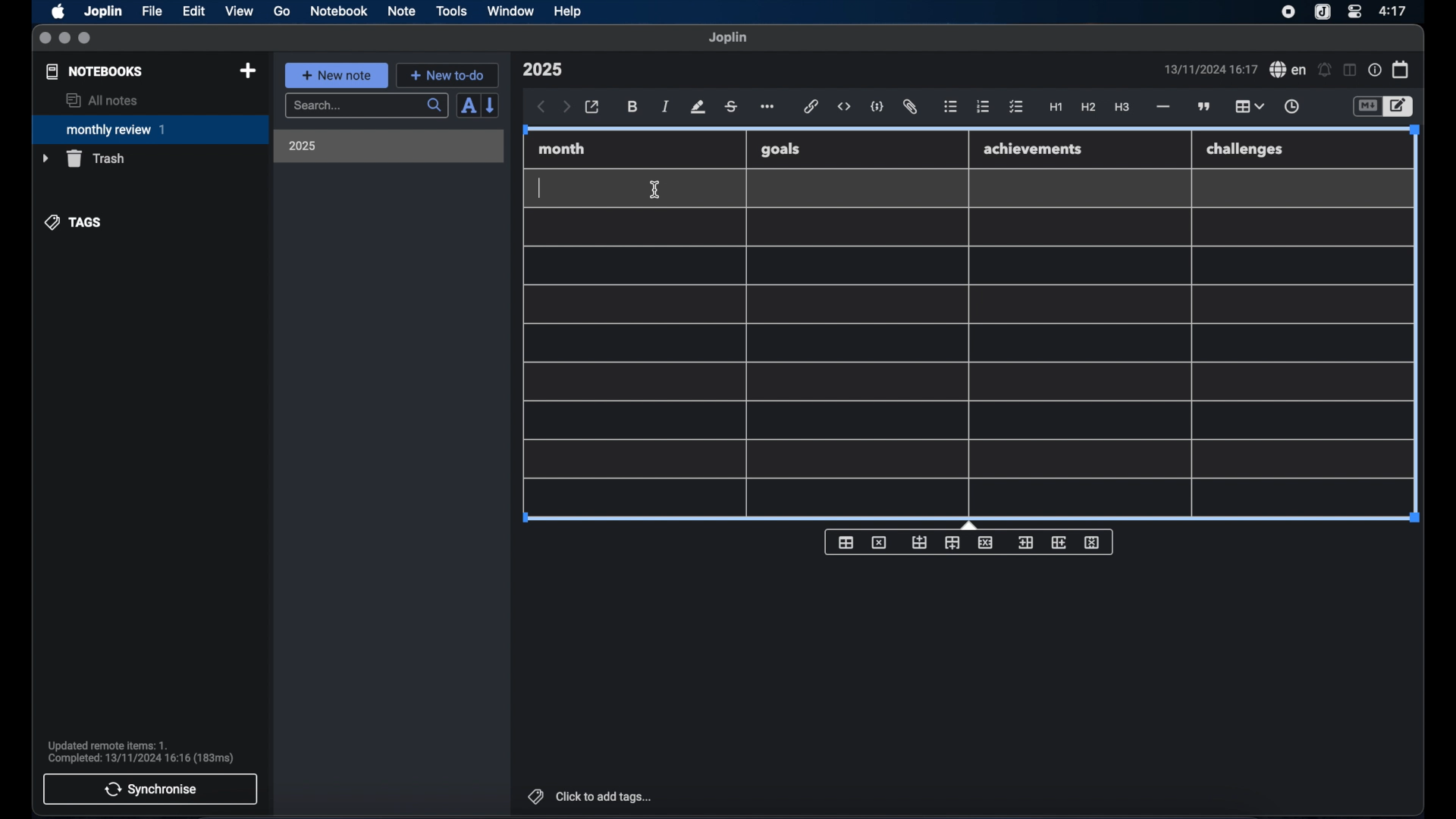  Describe the element at coordinates (1162, 107) in the screenshot. I see `horizontal rule` at that location.